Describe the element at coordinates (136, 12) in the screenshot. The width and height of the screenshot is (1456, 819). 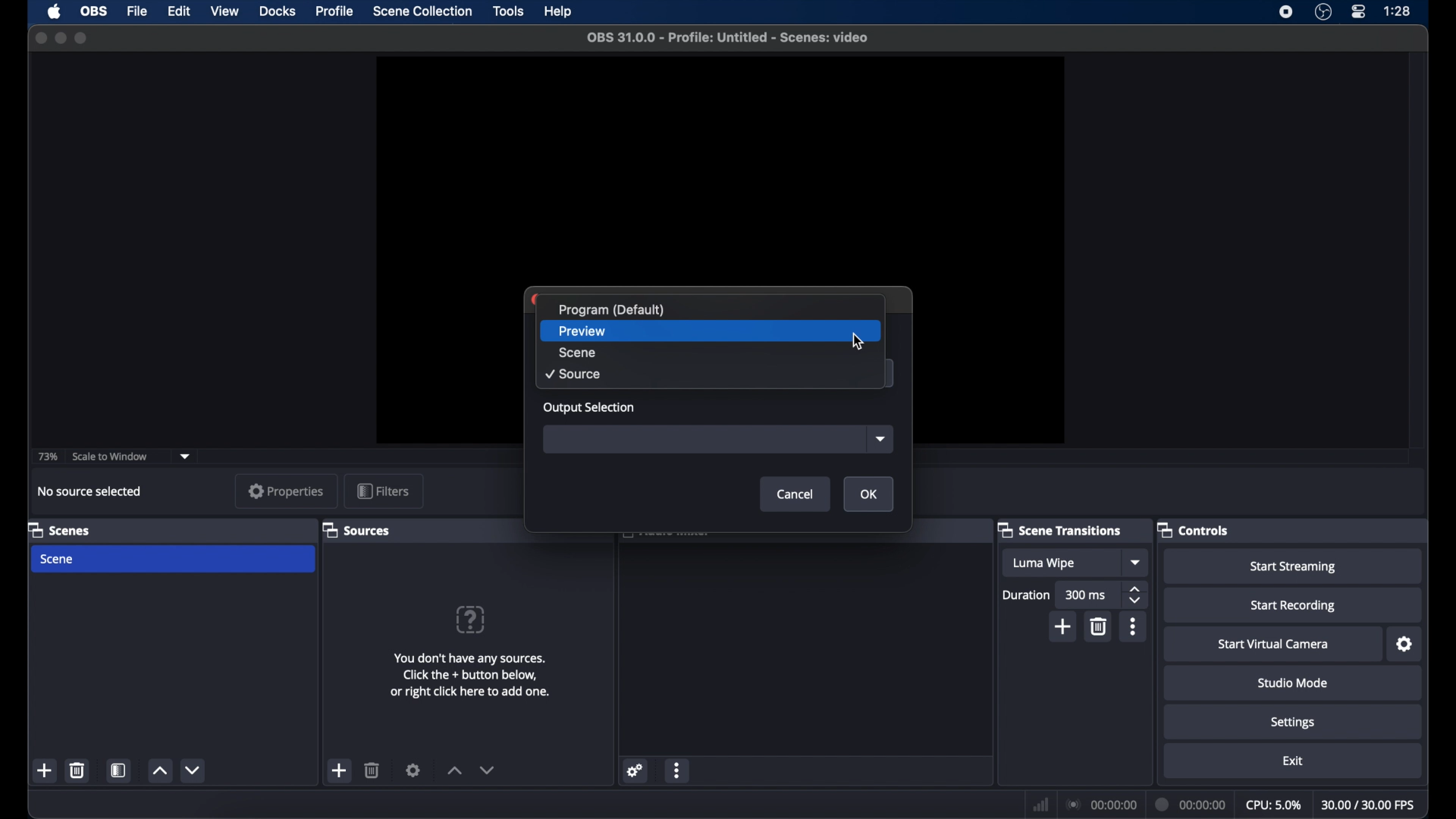
I see `file` at that location.